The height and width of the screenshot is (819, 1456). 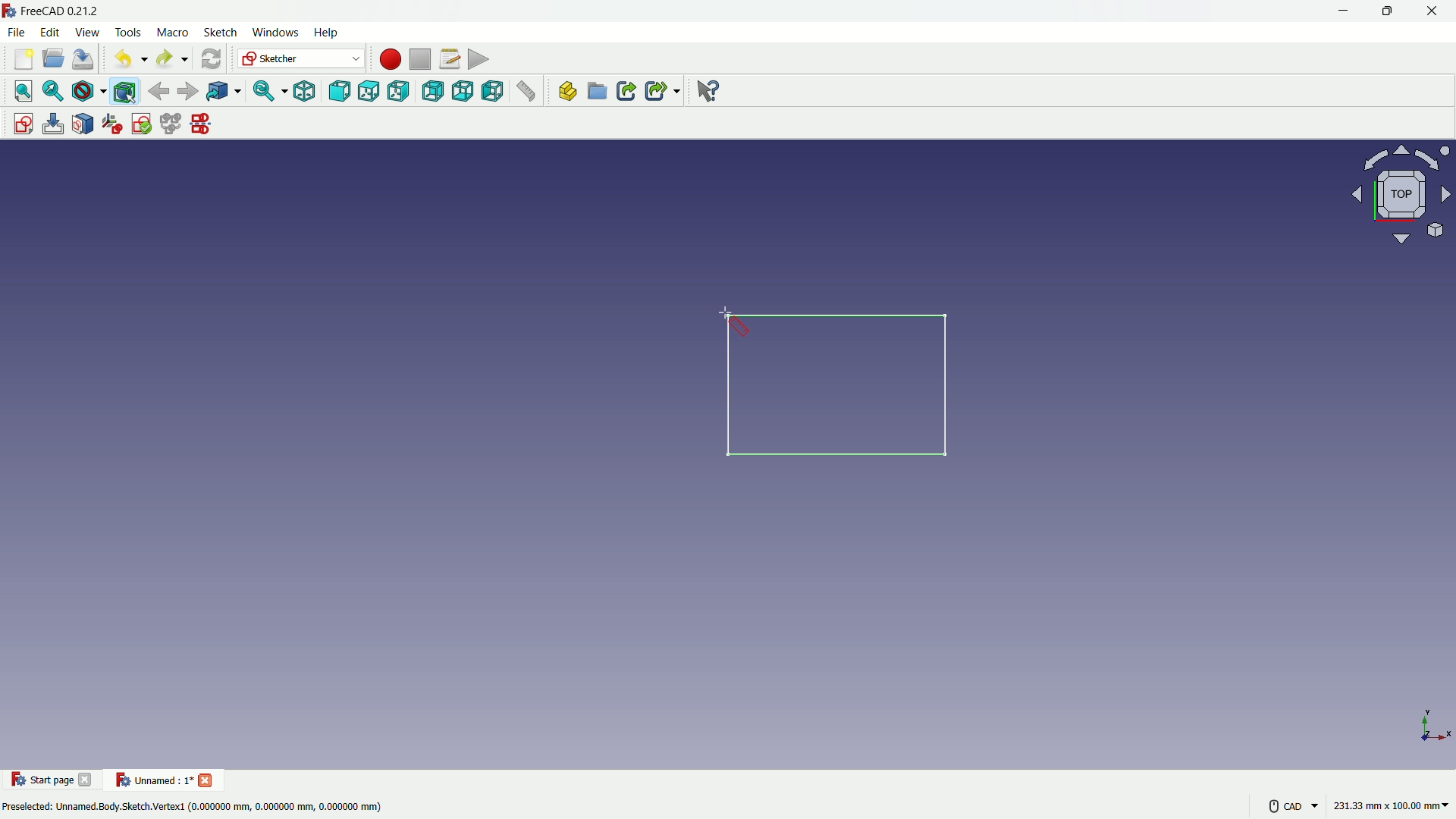 What do you see at coordinates (369, 90) in the screenshot?
I see `top view` at bounding box center [369, 90].